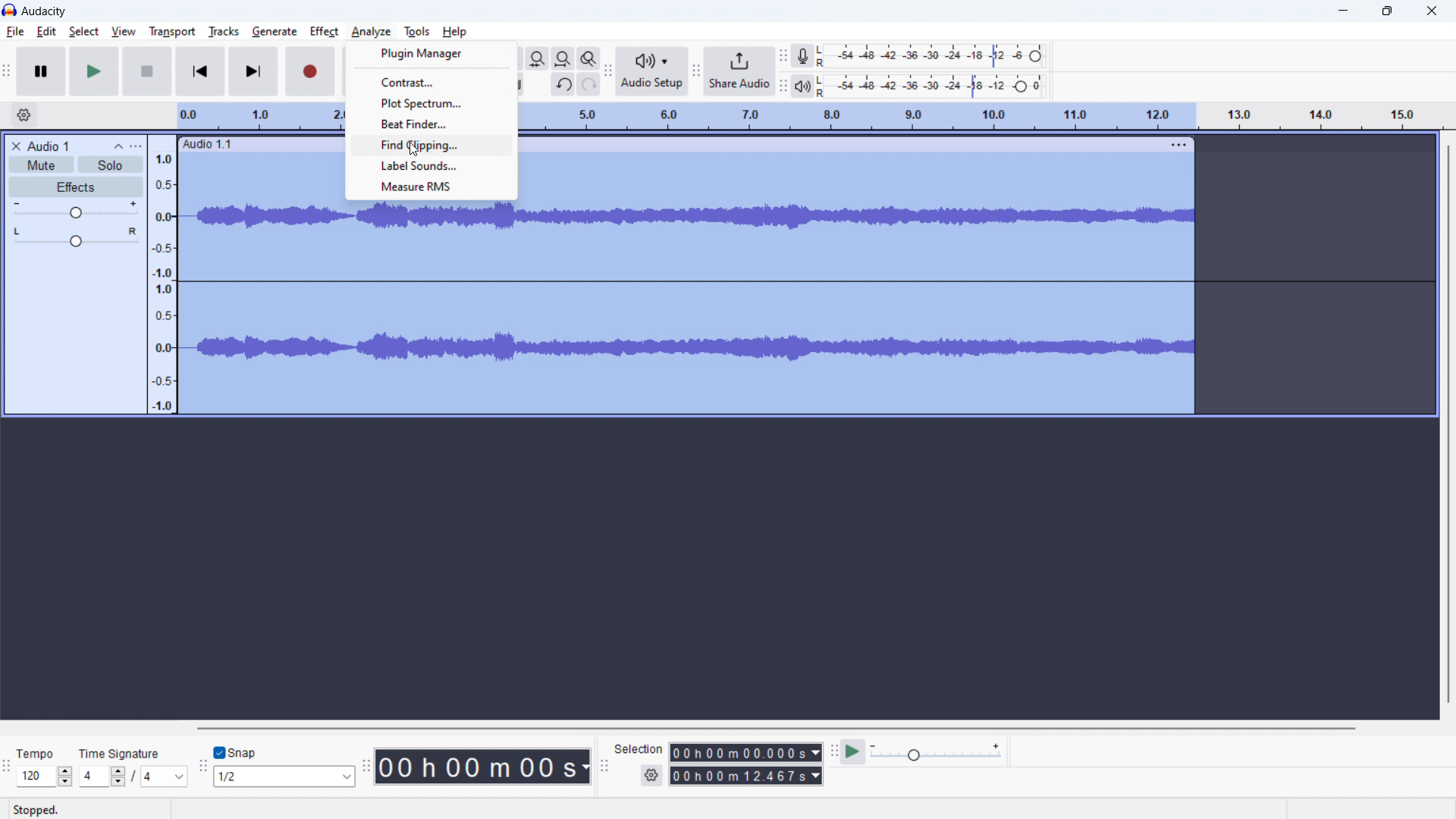 This screenshot has height=819, width=1456. What do you see at coordinates (1432, 9) in the screenshot?
I see `close` at bounding box center [1432, 9].